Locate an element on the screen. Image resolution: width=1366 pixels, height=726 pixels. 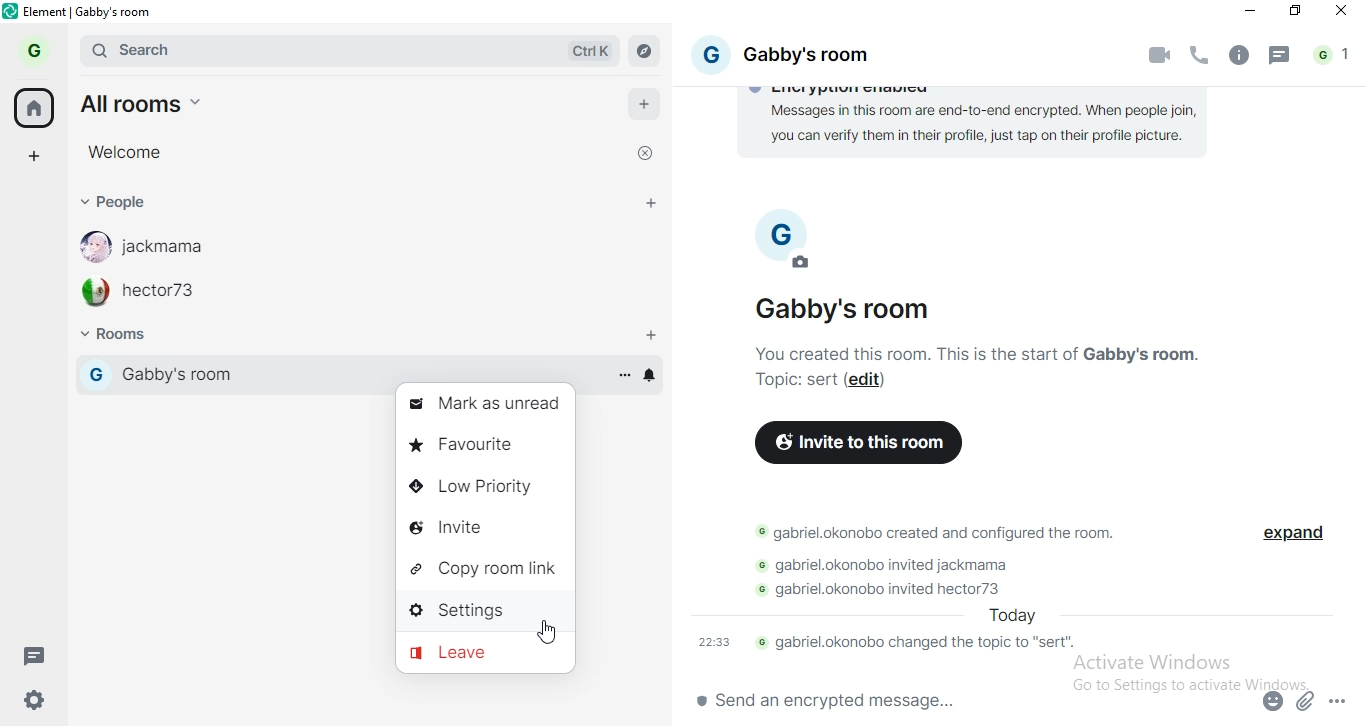
info is located at coordinates (1237, 56).